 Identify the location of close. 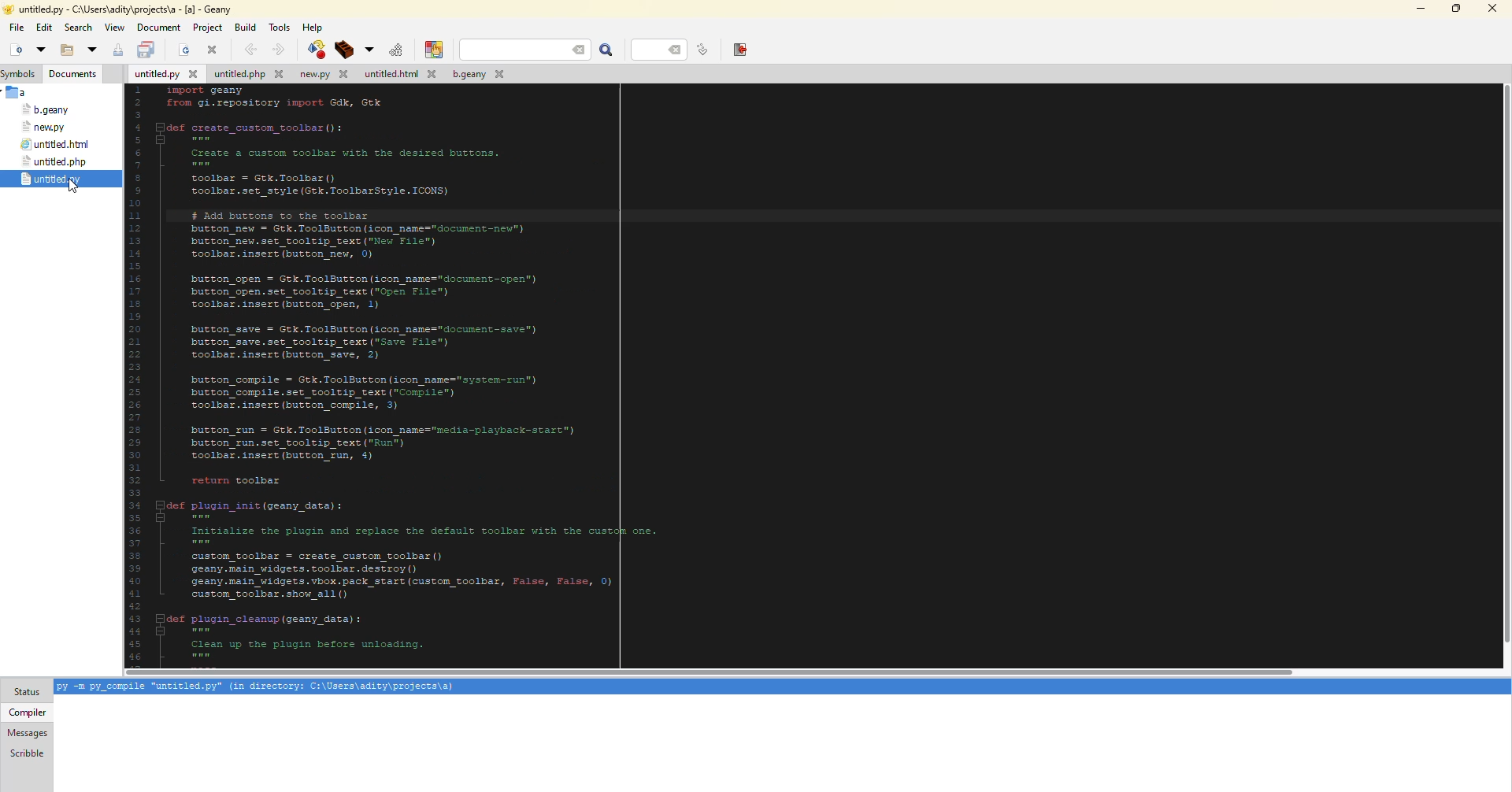
(214, 50).